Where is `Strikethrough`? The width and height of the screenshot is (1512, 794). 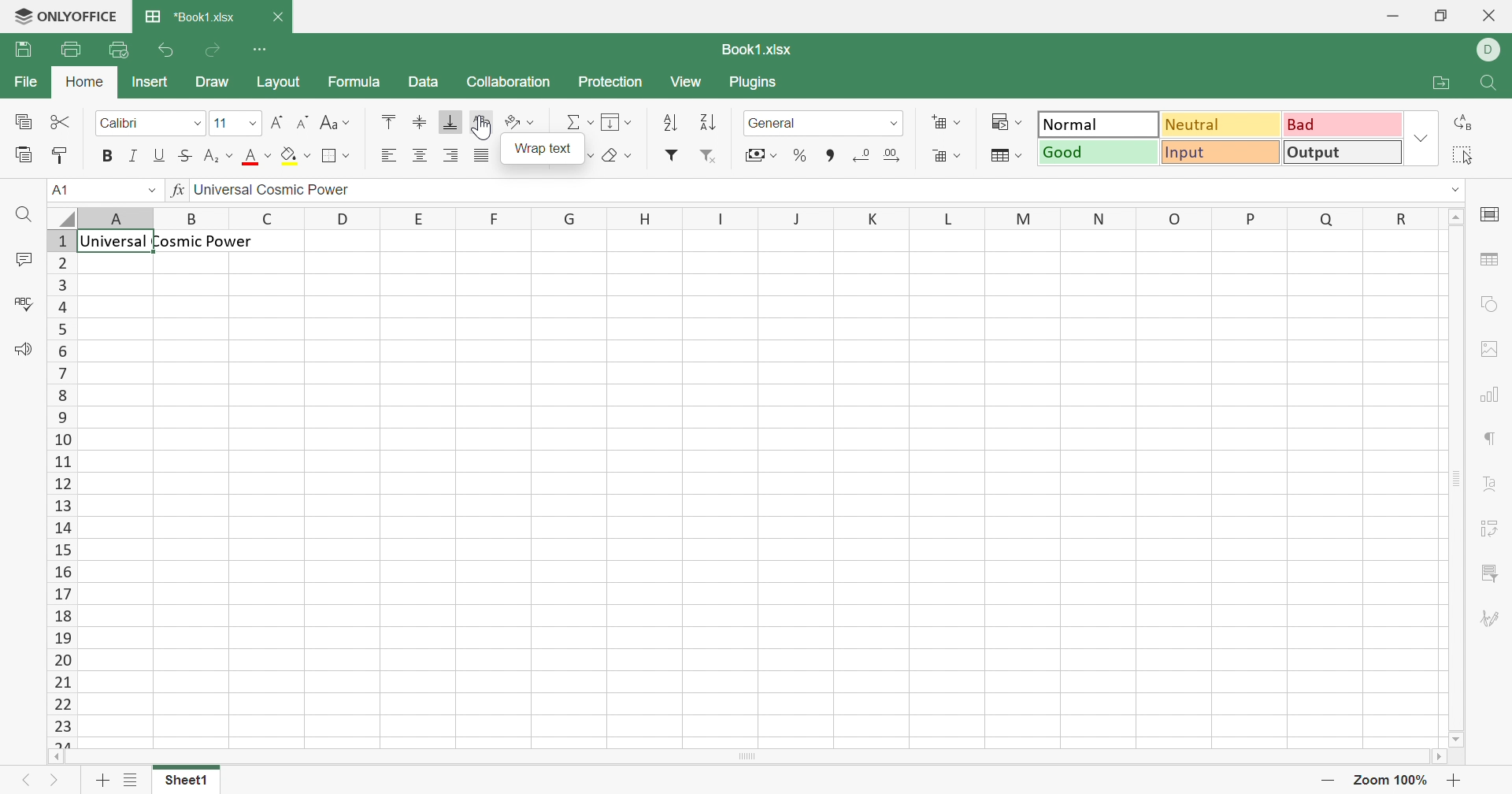 Strikethrough is located at coordinates (183, 157).